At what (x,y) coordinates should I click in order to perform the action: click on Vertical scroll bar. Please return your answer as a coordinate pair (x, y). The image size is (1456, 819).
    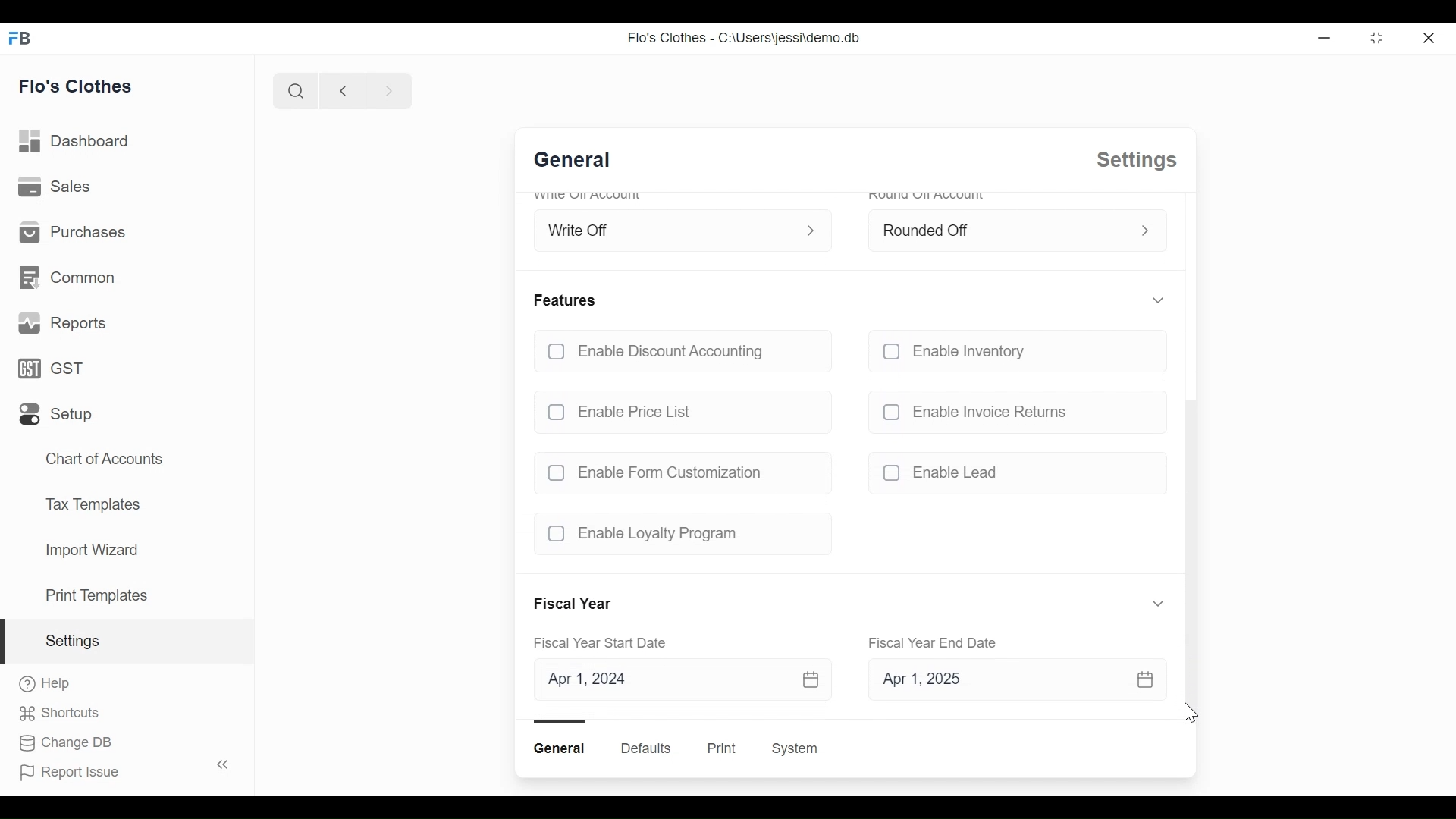
    Looking at the image, I should click on (1189, 558).